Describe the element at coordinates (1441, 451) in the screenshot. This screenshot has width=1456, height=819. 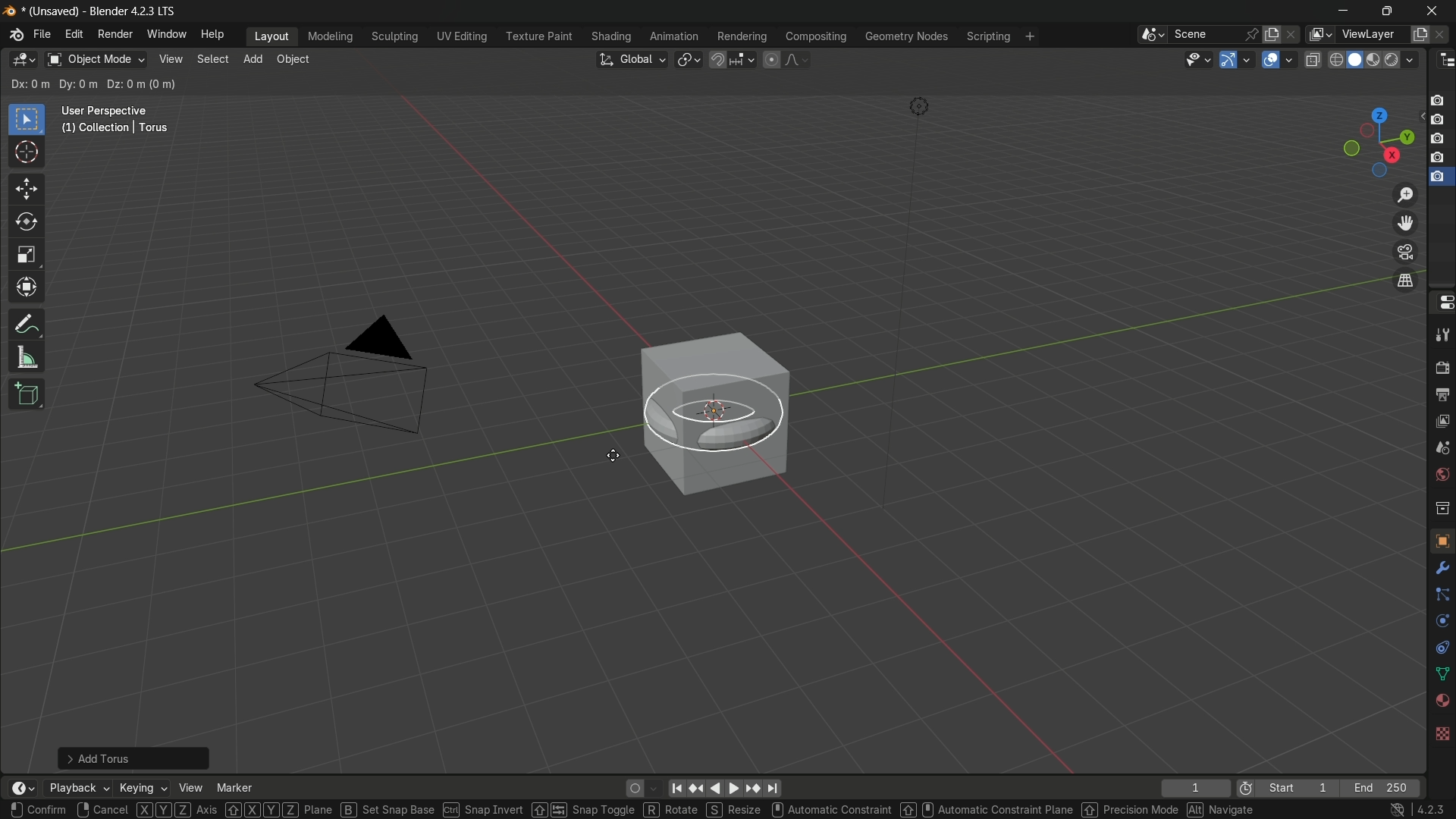
I see `scene` at that location.